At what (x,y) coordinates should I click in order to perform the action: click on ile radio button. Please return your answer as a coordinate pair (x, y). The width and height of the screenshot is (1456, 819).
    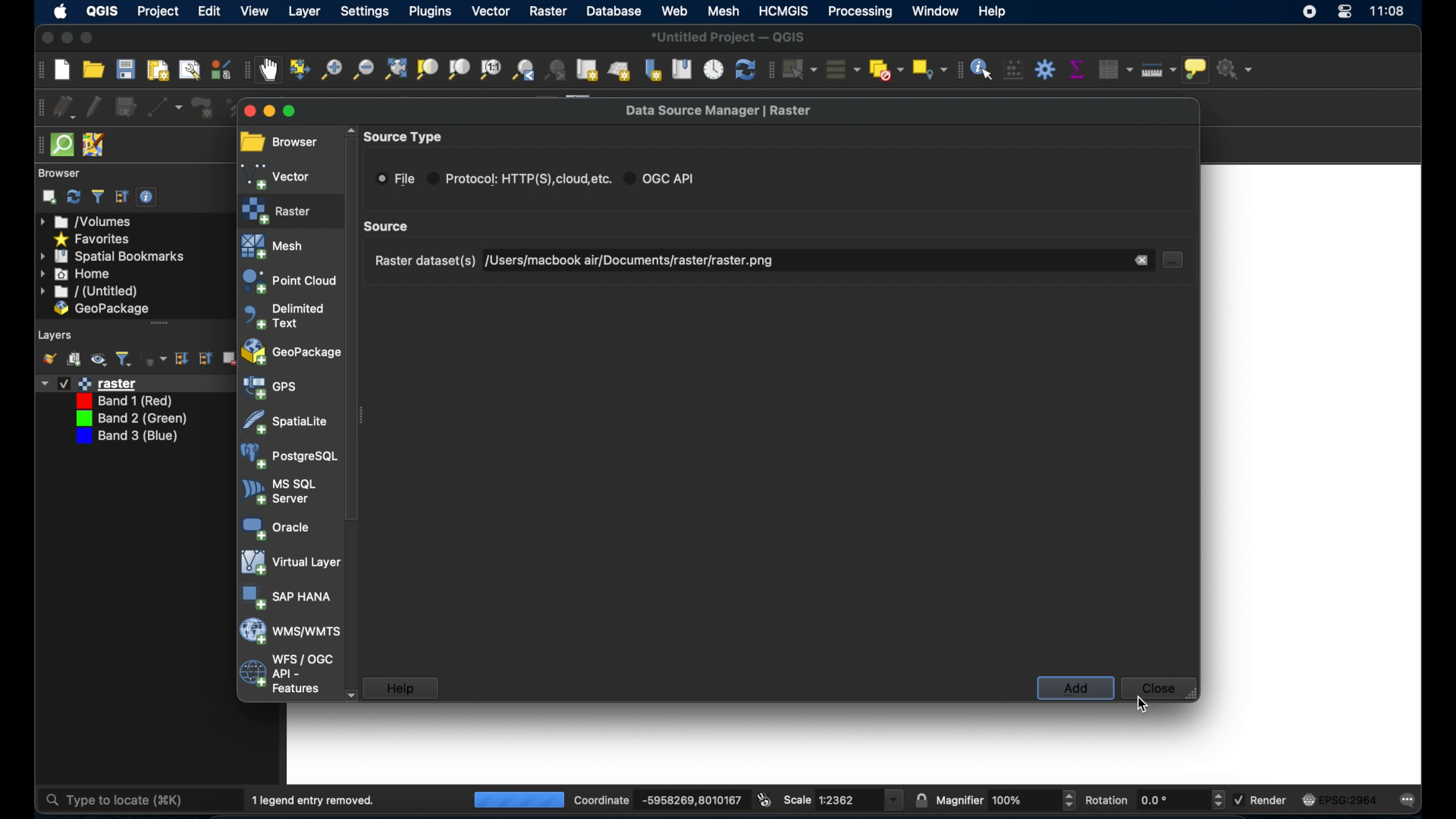
    Looking at the image, I should click on (395, 179).